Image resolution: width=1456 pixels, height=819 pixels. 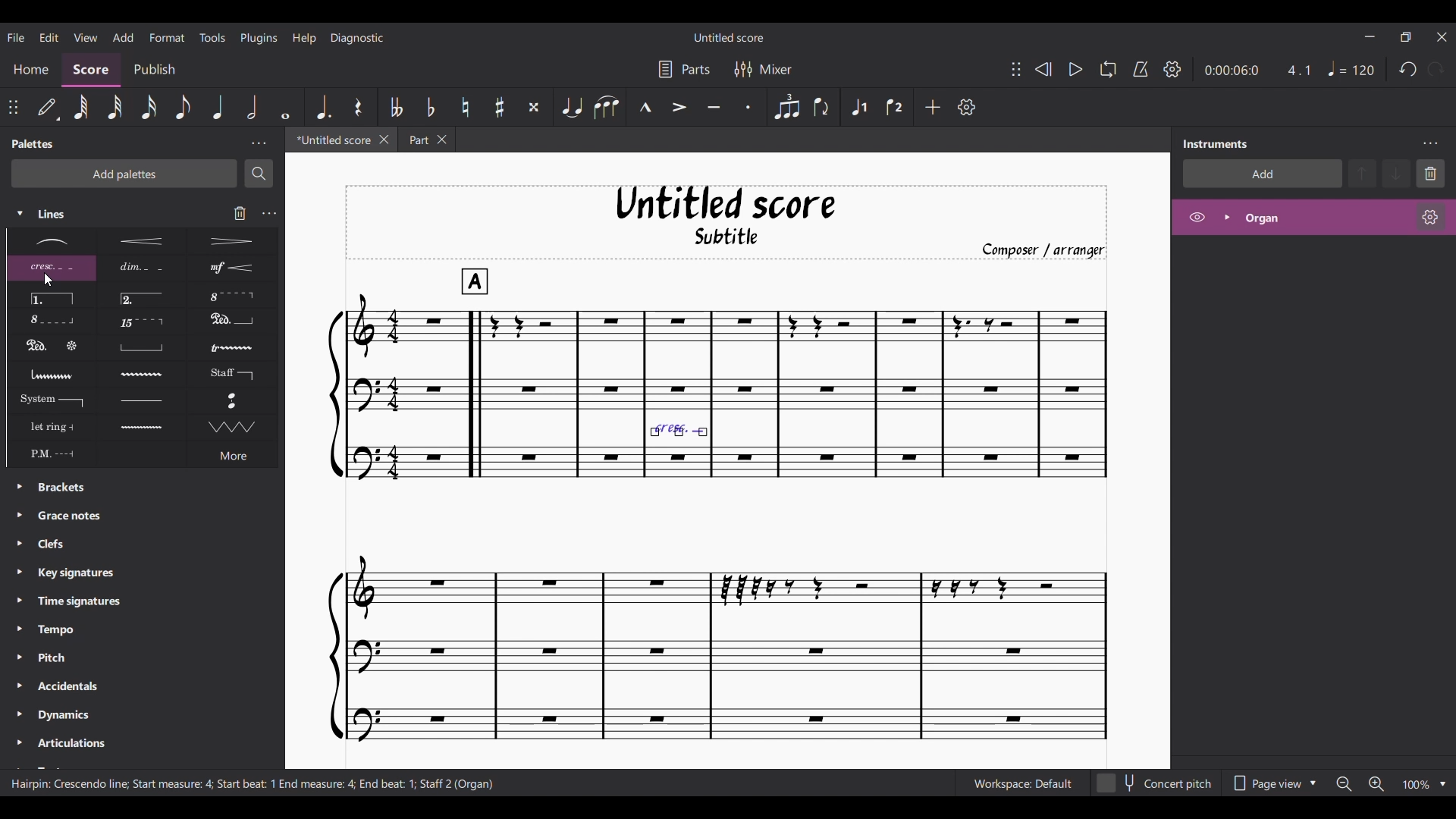 I want to click on Staccato, so click(x=748, y=107).